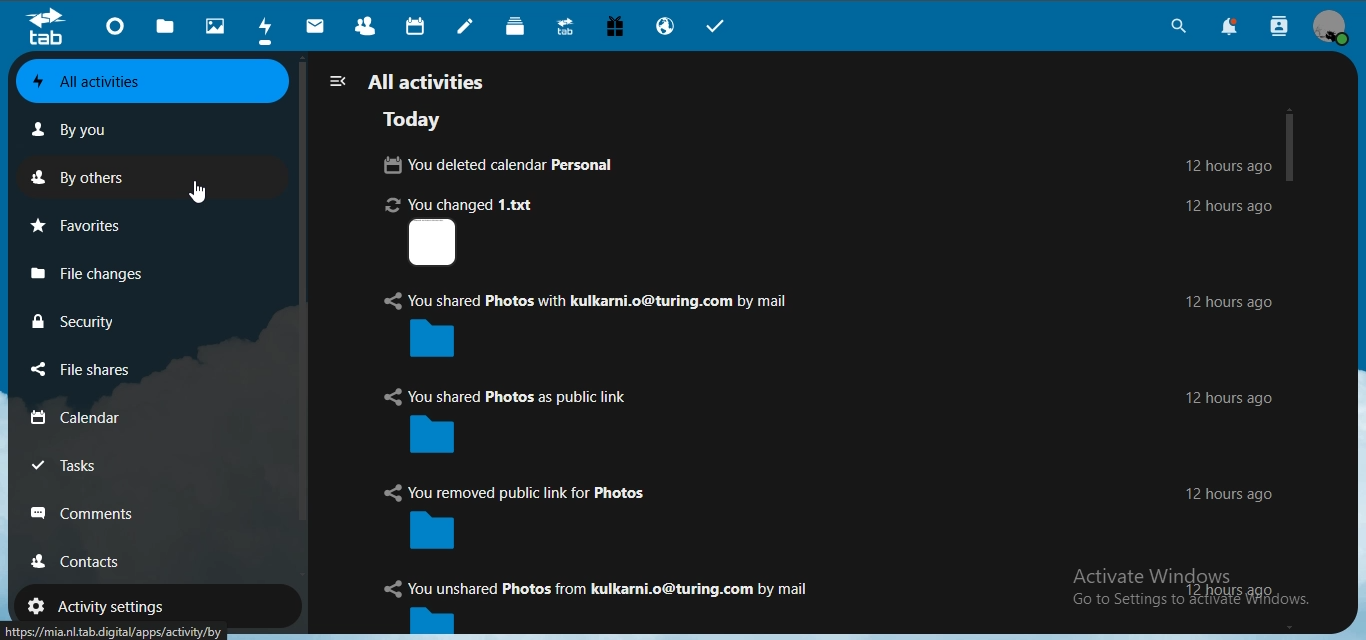 This screenshot has height=640, width=1366. I want to click on https://mia.nl.tab.didgital/apps/activity/by, so click(118, 631).